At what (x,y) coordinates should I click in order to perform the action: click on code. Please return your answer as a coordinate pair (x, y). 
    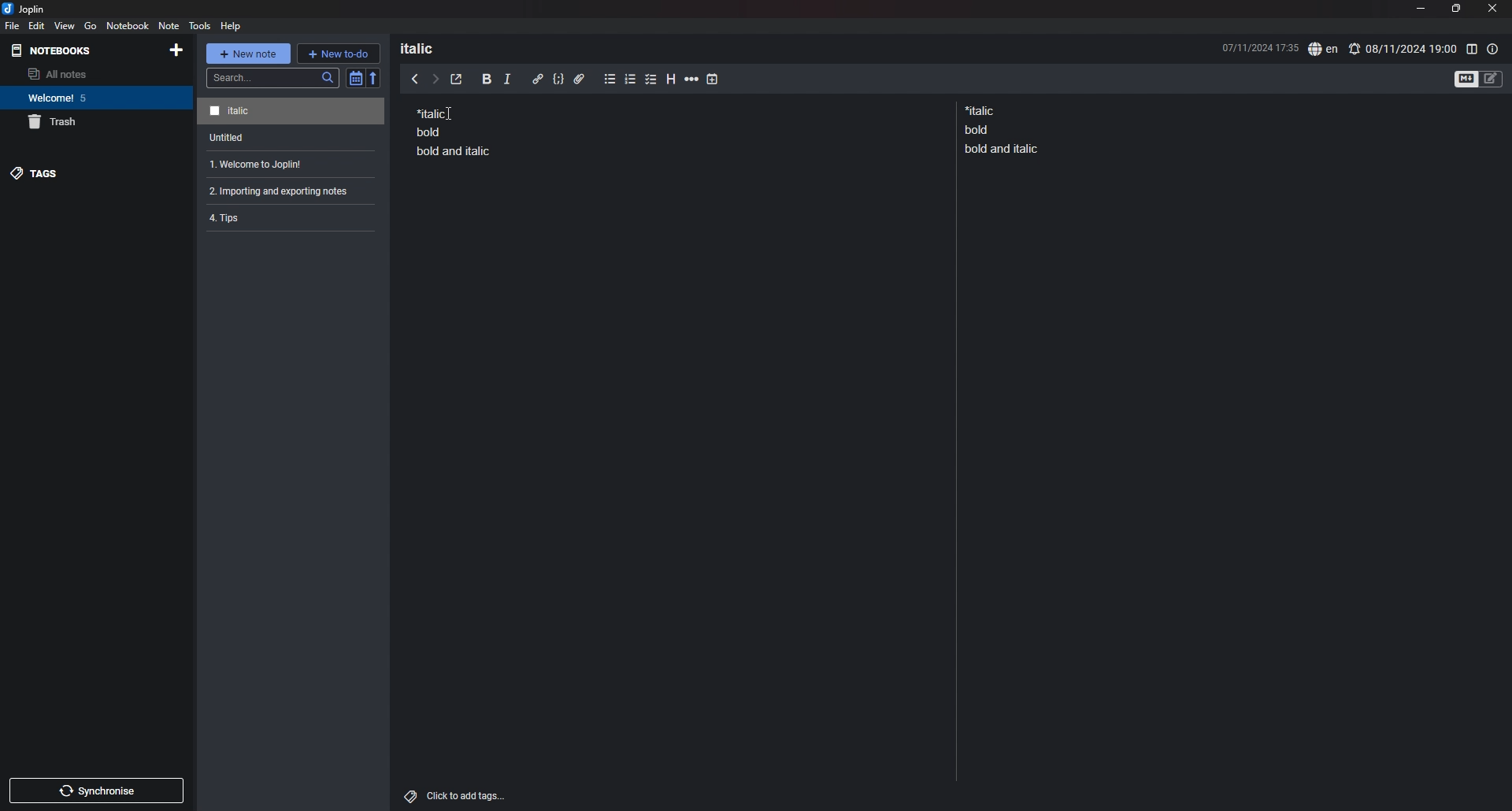
    Looking at the image, I should click on (558, 80).